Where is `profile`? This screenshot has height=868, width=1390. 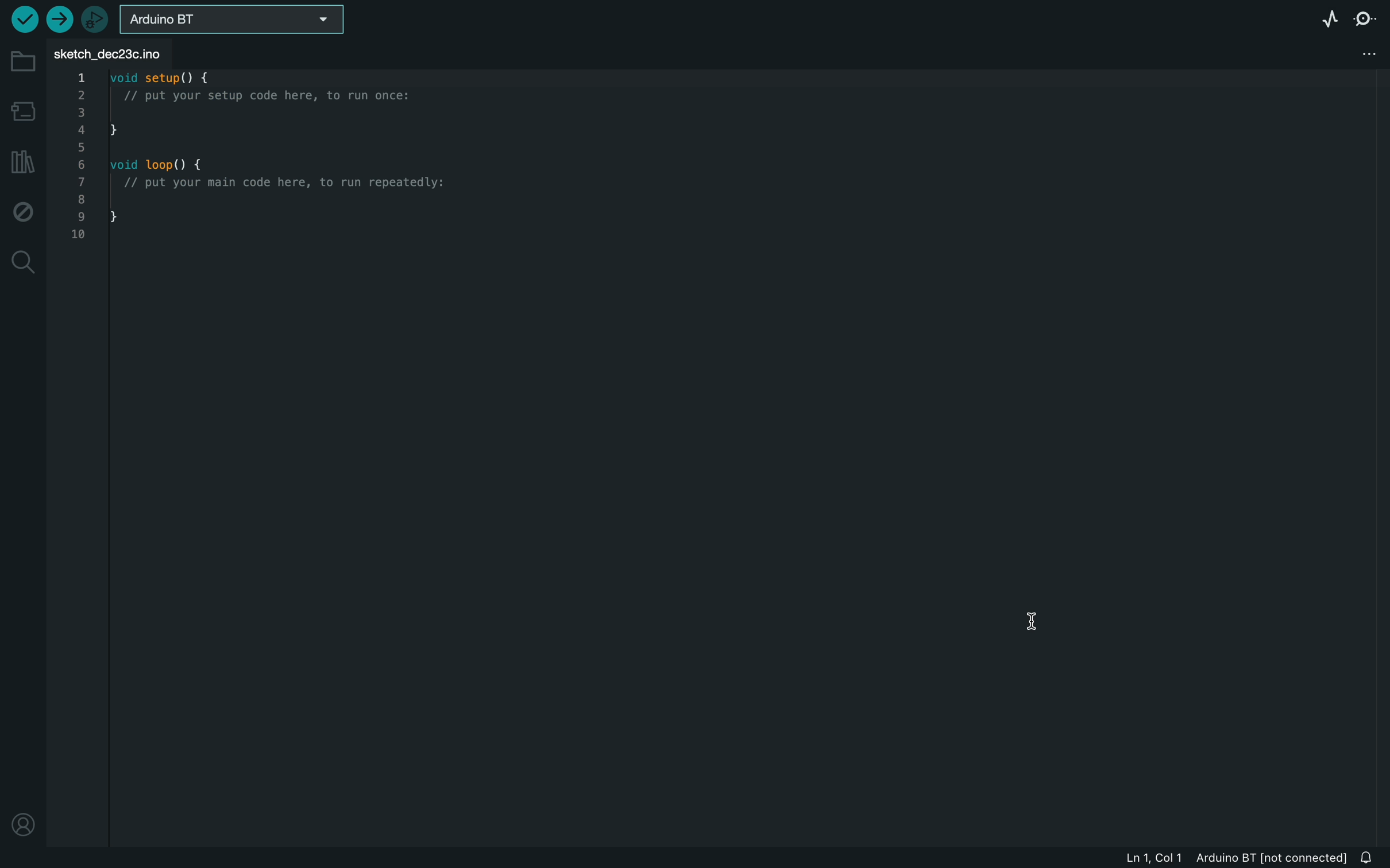
profile is located at coordinates (26, 824).